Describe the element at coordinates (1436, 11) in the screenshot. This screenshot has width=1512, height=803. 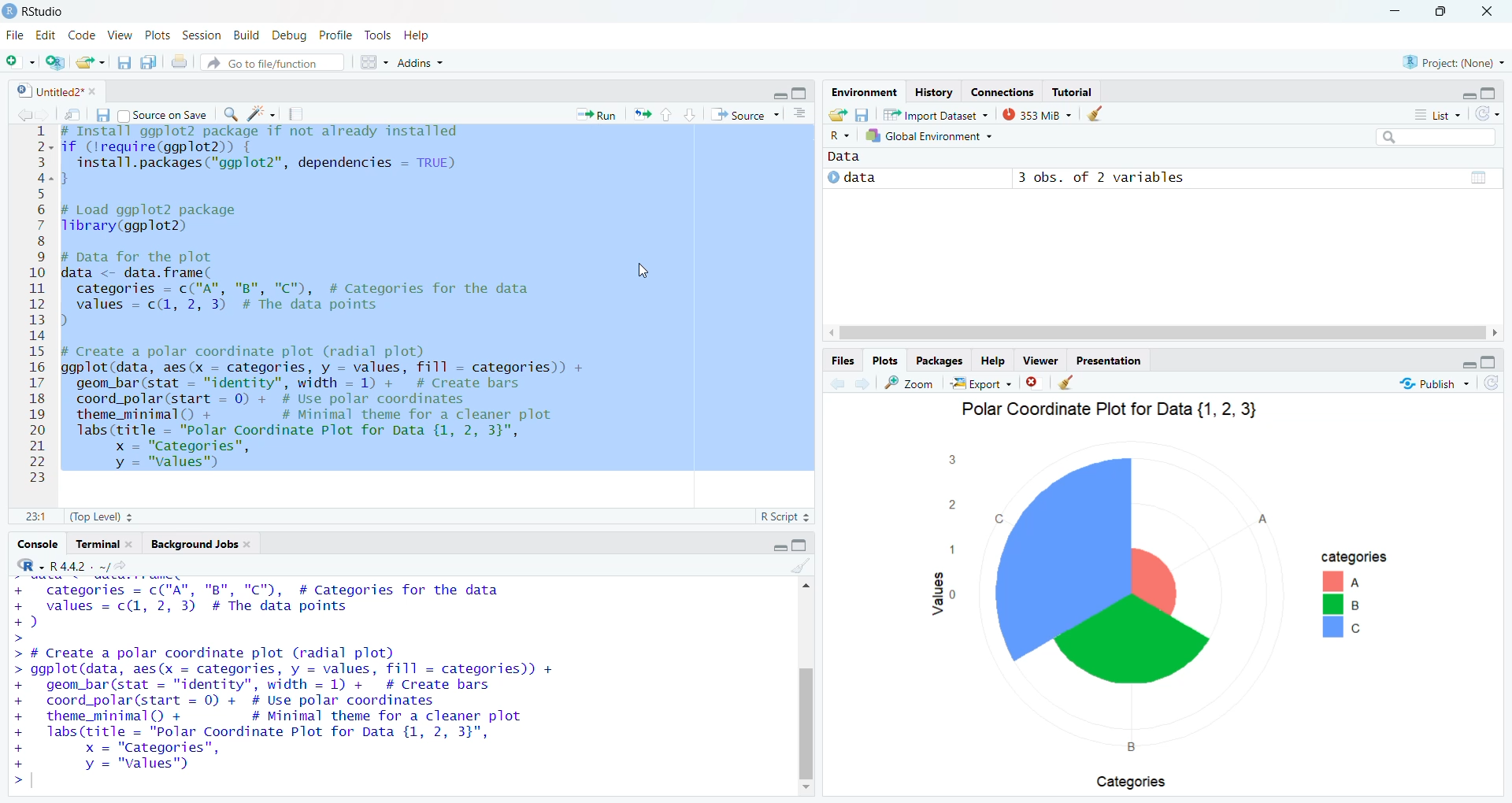
I see `maximize` at that location.